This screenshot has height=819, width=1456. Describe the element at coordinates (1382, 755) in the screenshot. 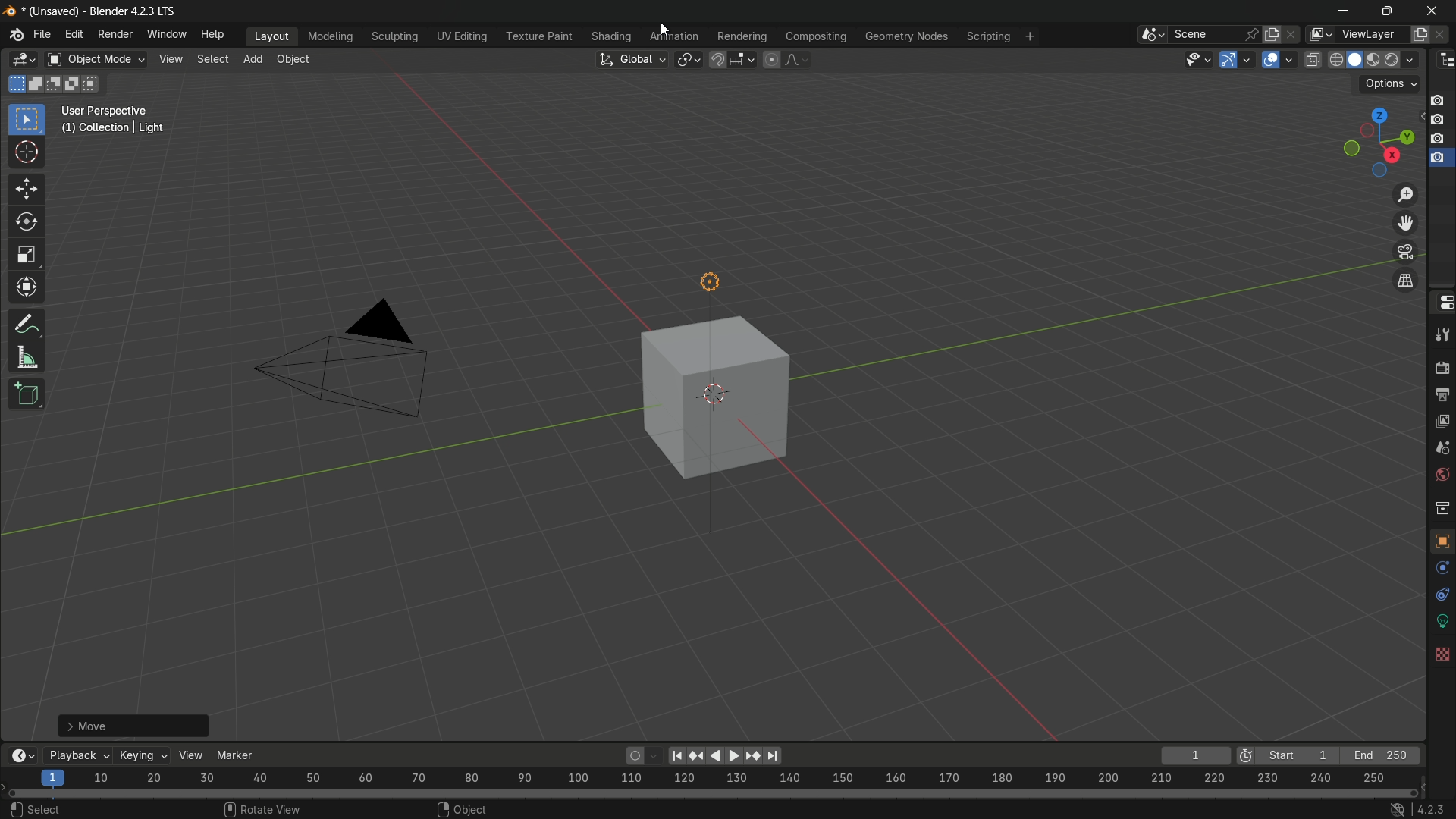

I see `end` at that location.